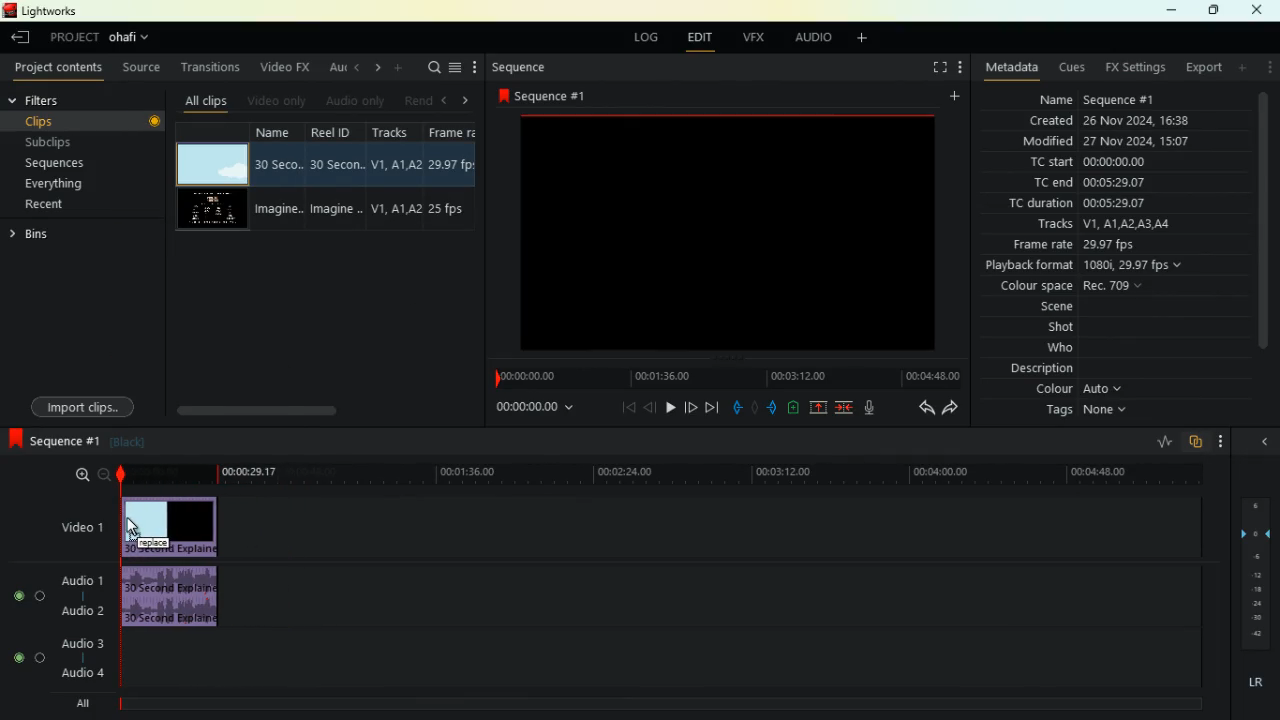 Image resolution: width=1280 pixels, height=720 pixels. Describe the element at coordinates (74, 641) in the screenshot. I see `audio 3` at that location.